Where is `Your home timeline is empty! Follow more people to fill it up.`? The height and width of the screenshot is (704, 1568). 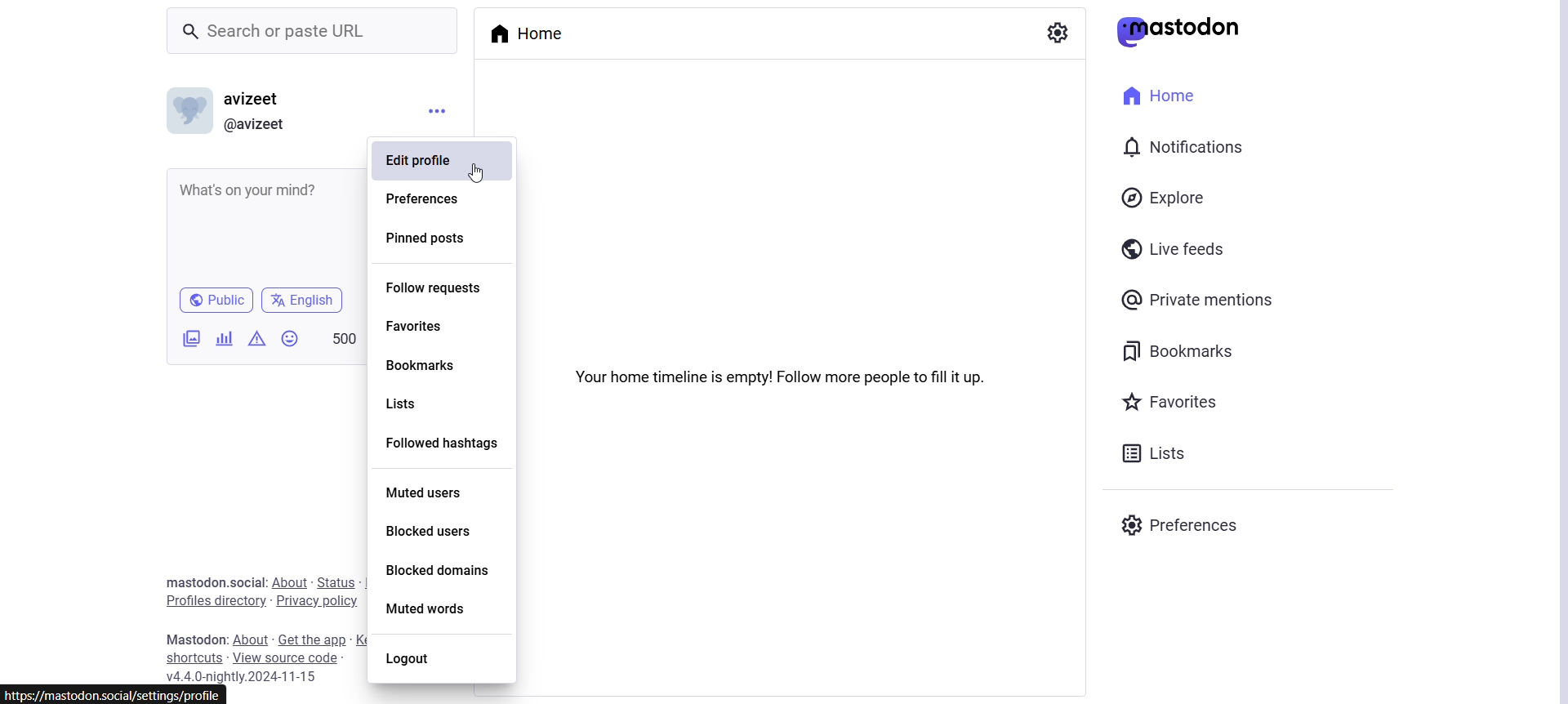
Your home timeline is empty! Follow more people to fill it up. is located at coordinates (775, 378).